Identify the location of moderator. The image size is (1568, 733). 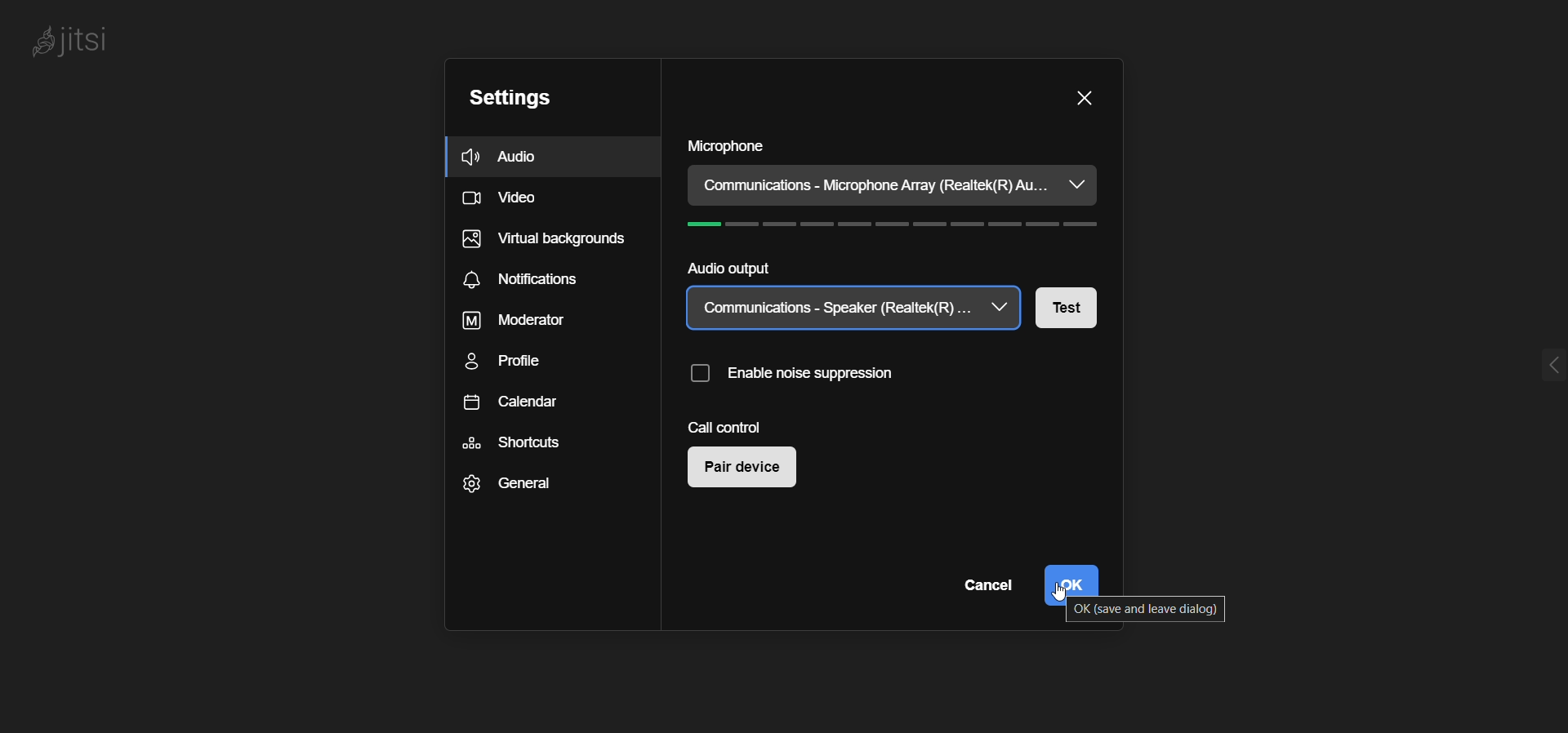
(508, 322).